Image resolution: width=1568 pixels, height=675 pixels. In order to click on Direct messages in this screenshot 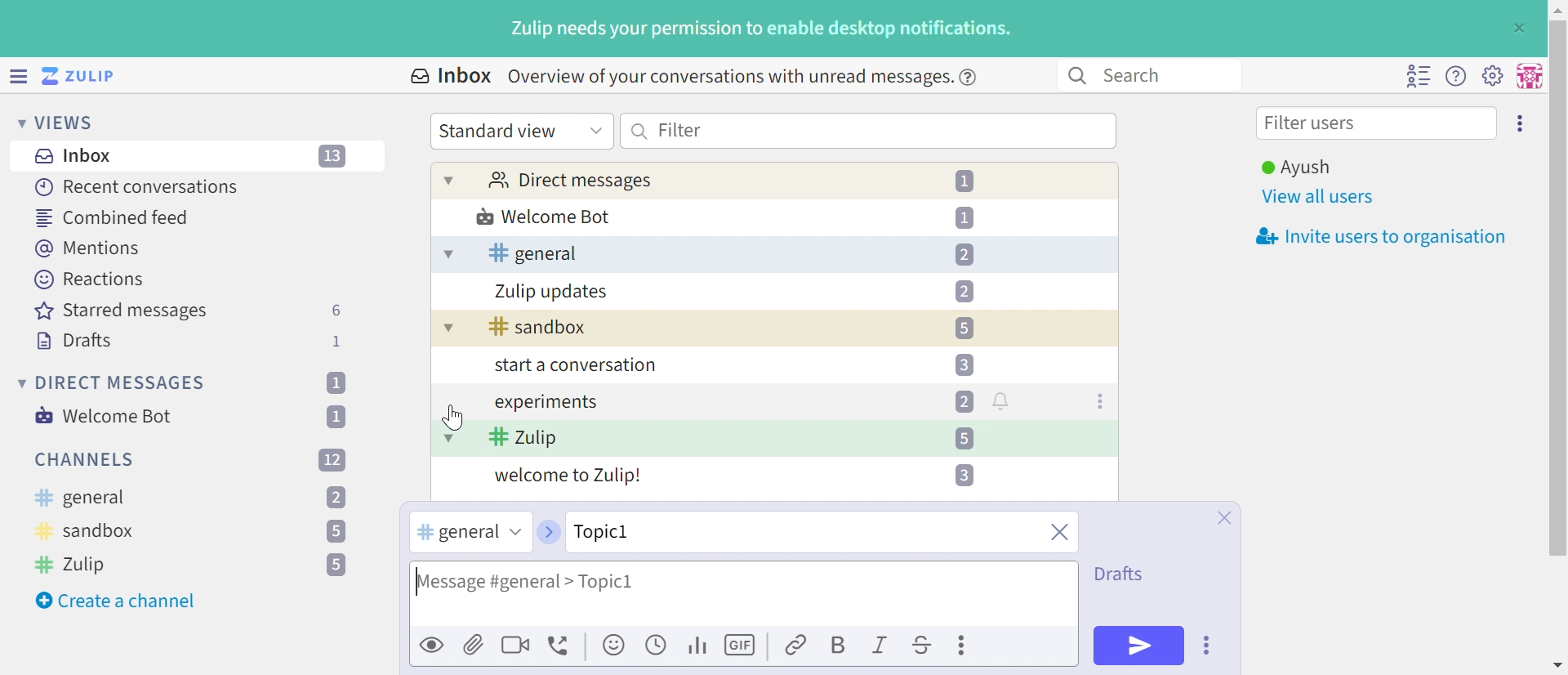, I will do `click(569, 181)`.